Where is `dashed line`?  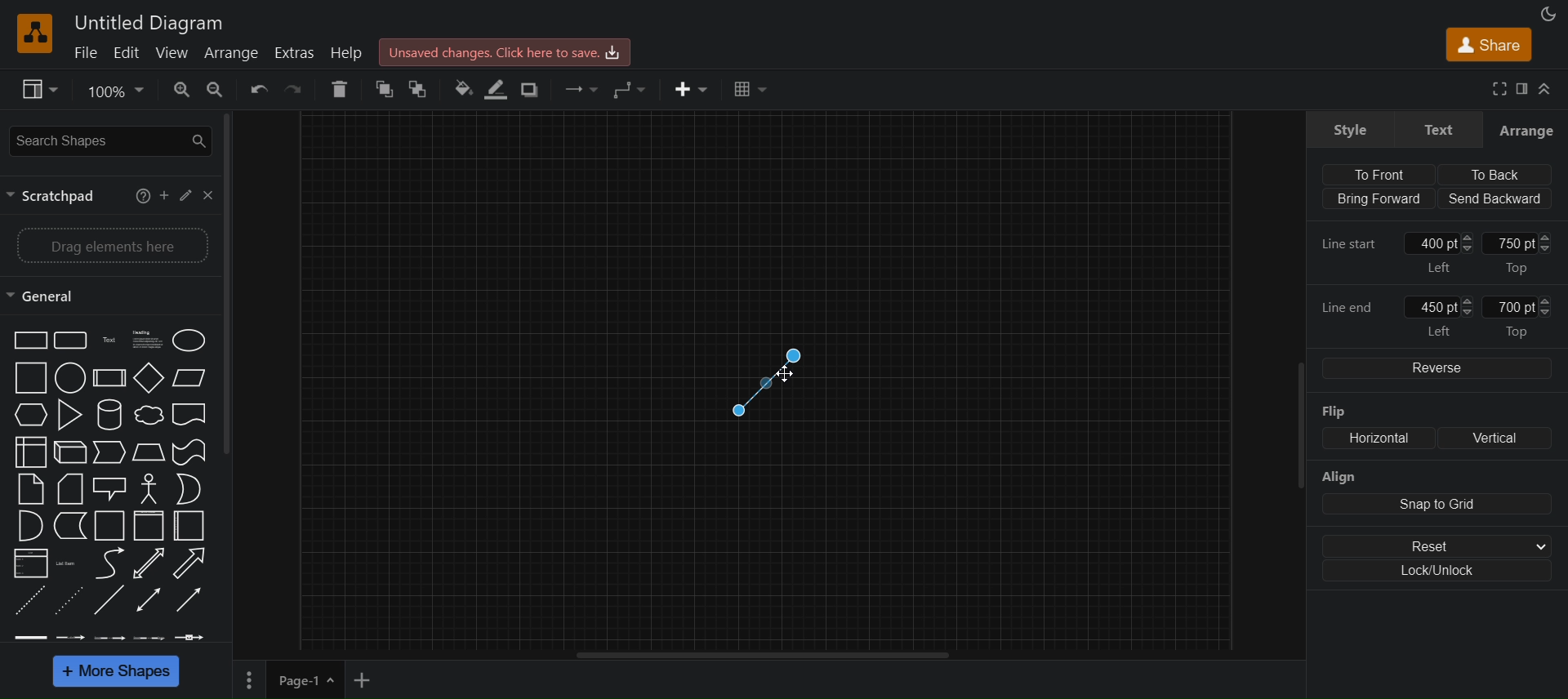 dashed line is located at coordinates (25, 602).